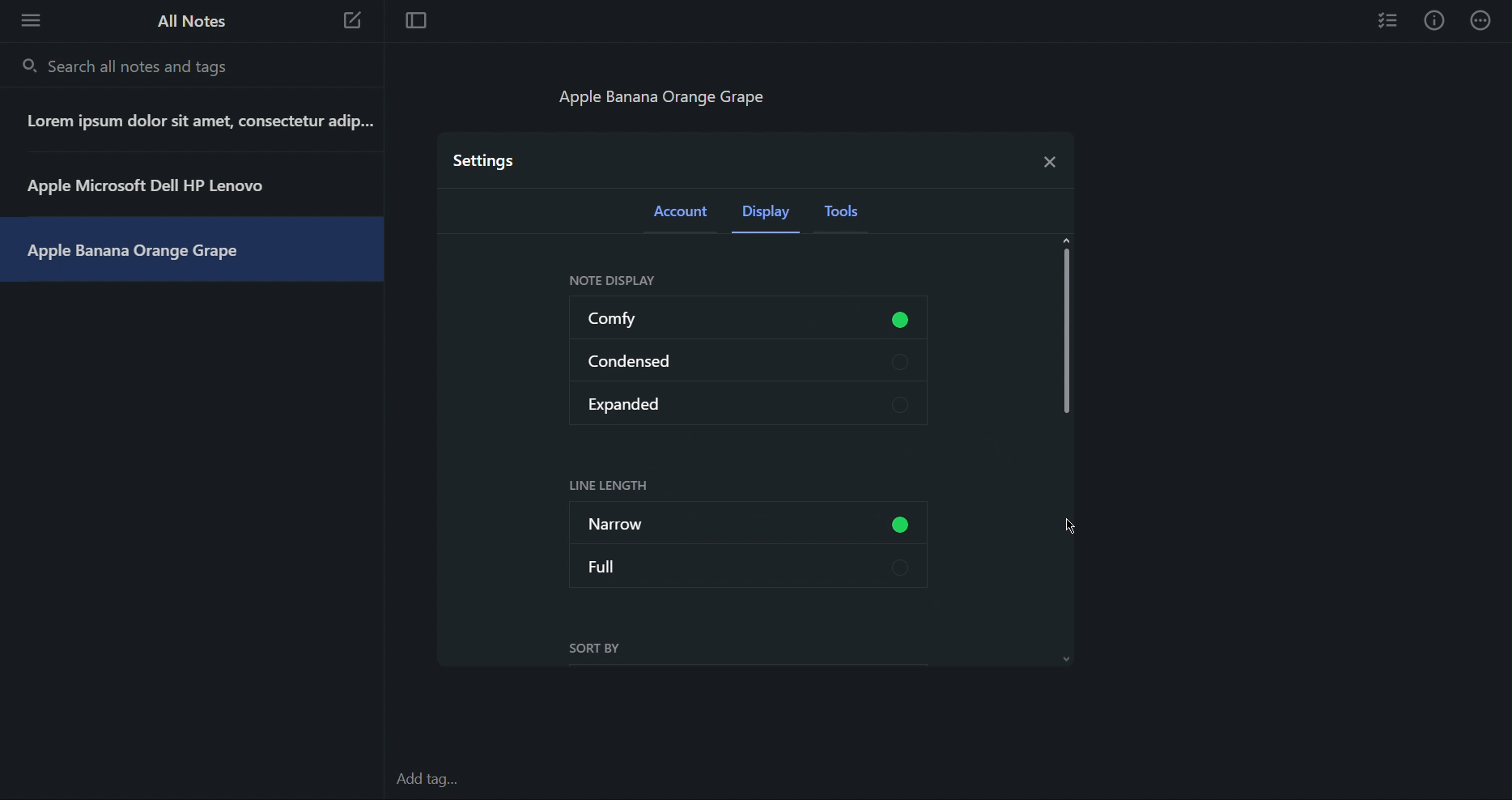 The height and width of the screenshot is (800, 1512). I want to click on button, so click(904, 318).